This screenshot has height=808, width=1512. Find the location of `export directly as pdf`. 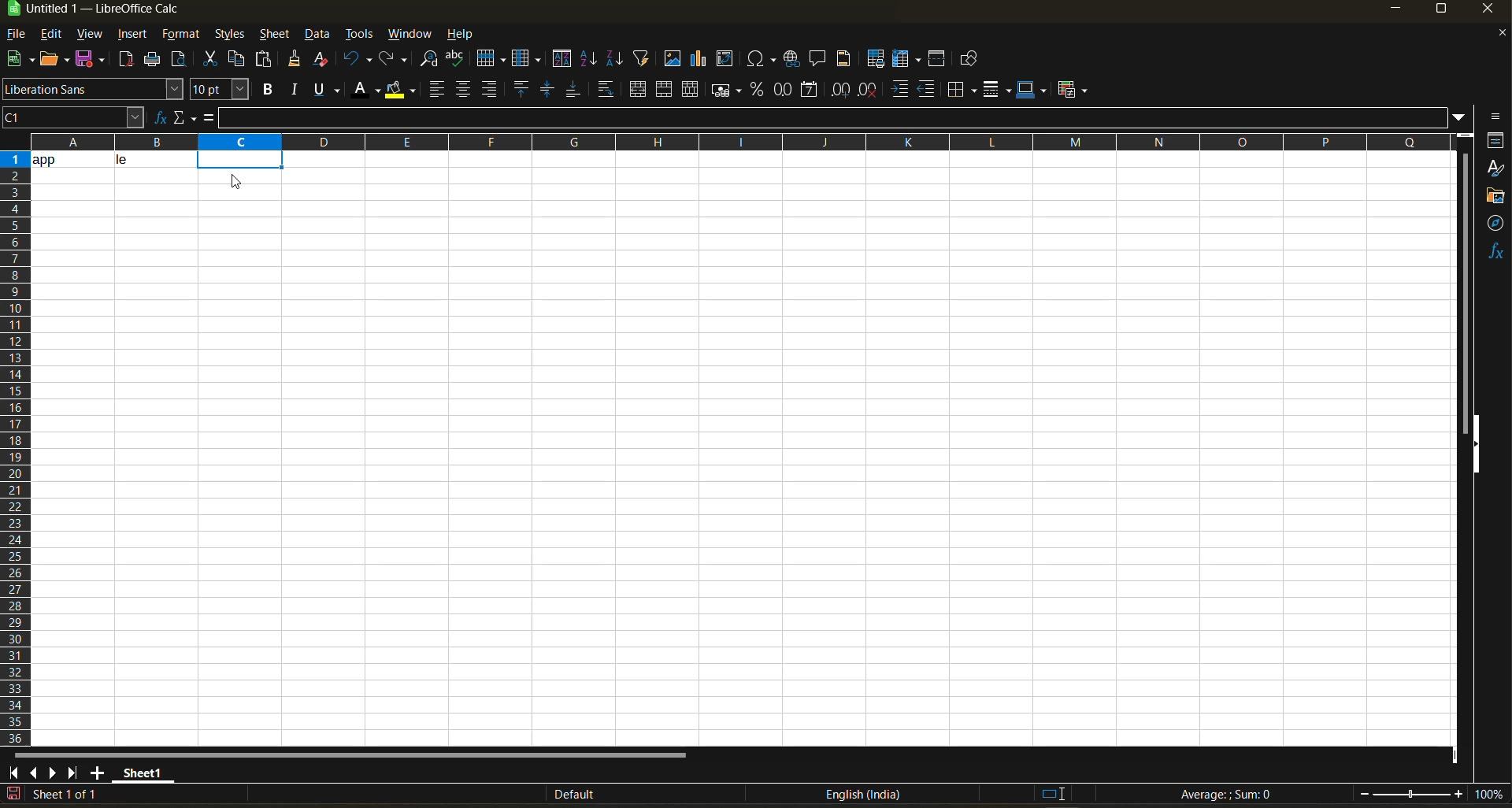

export directly as pdf is located at coordinates (125, 61).